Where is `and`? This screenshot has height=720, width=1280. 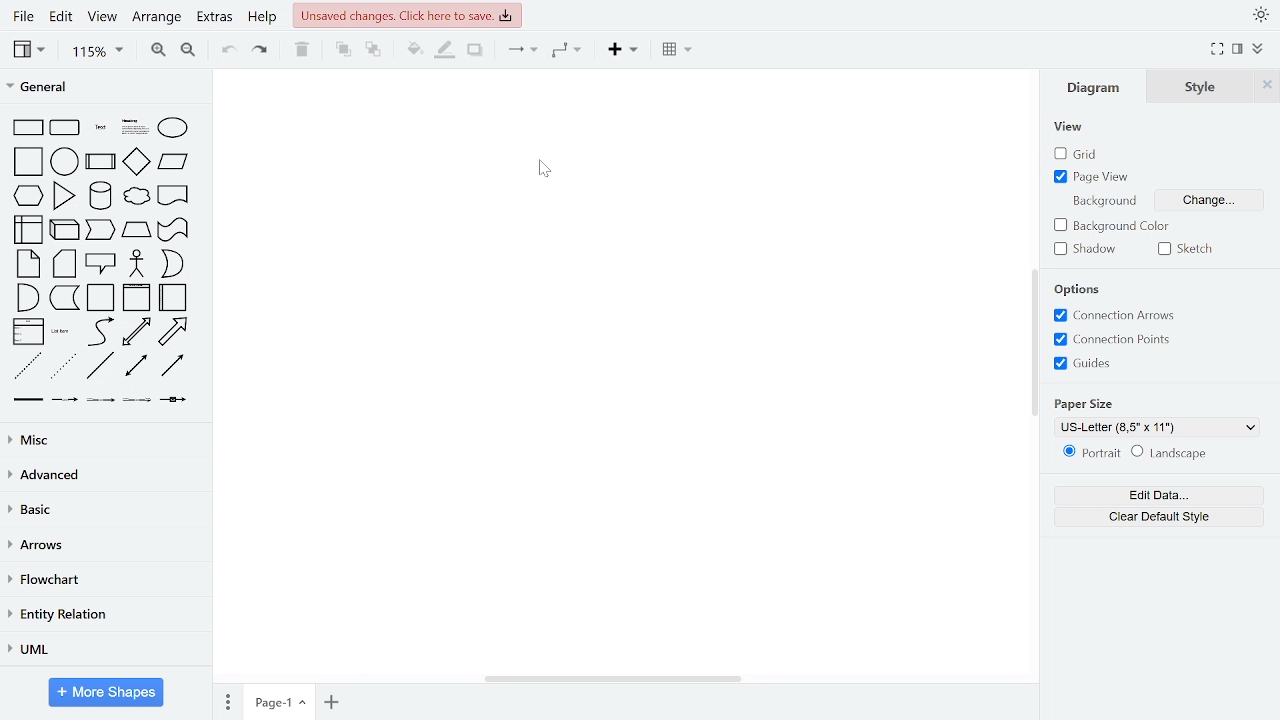
and is located at coordinates (30, 298).